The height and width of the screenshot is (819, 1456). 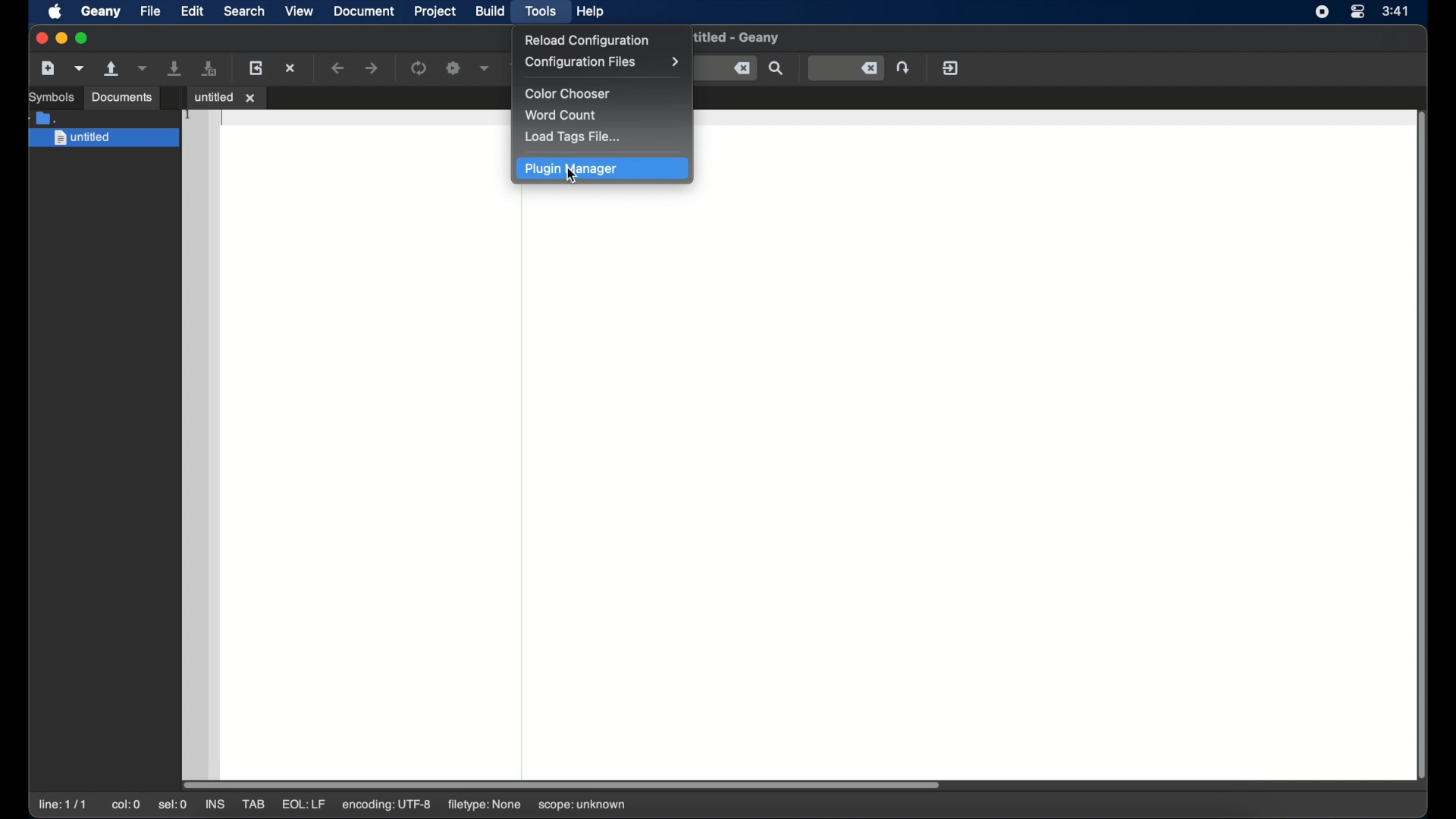 What do you see at coordinates (189, 115) in the screenshot?
I see `1` at bounding box center [189, 115].